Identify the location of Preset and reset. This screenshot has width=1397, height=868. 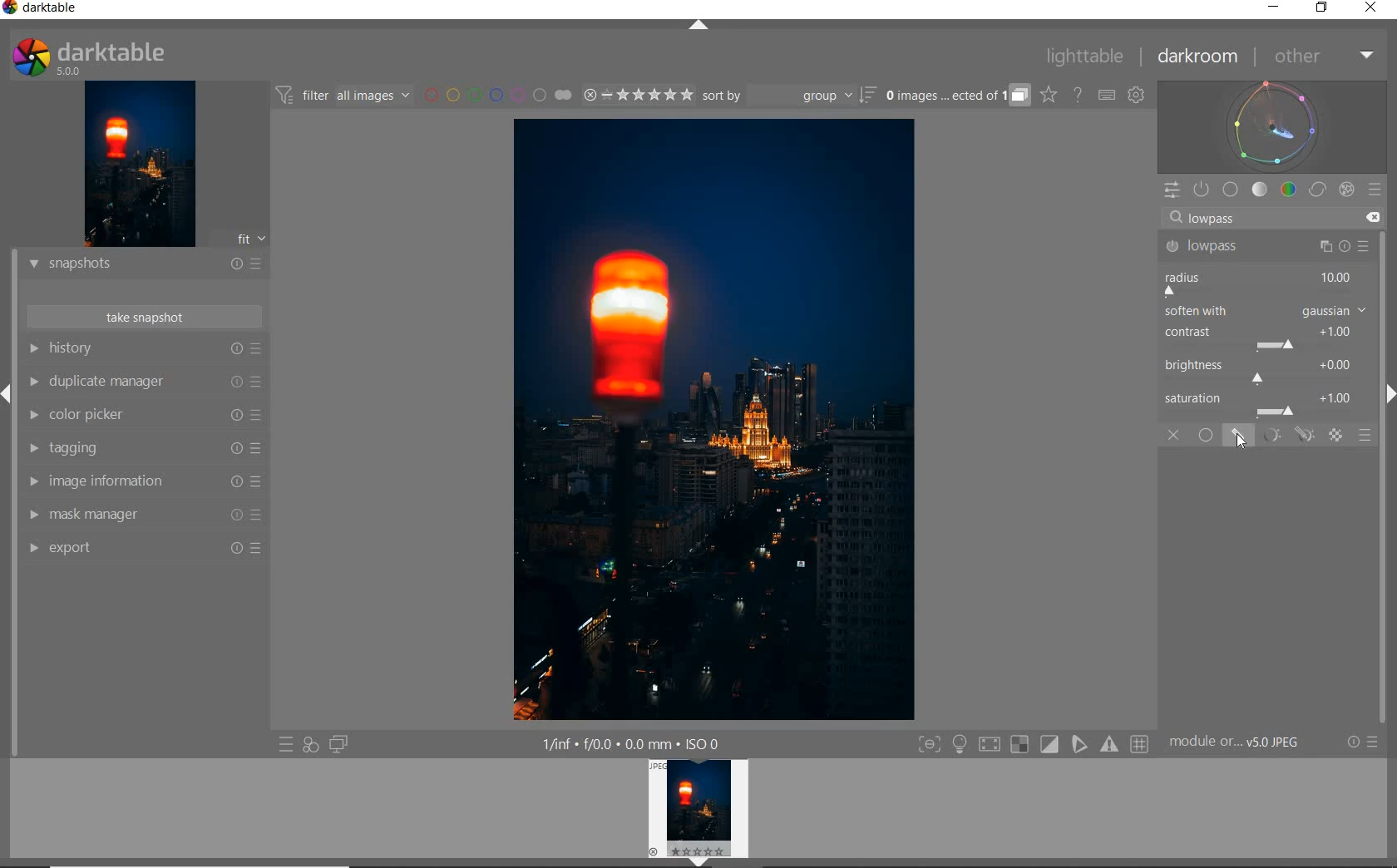
(259, 483).